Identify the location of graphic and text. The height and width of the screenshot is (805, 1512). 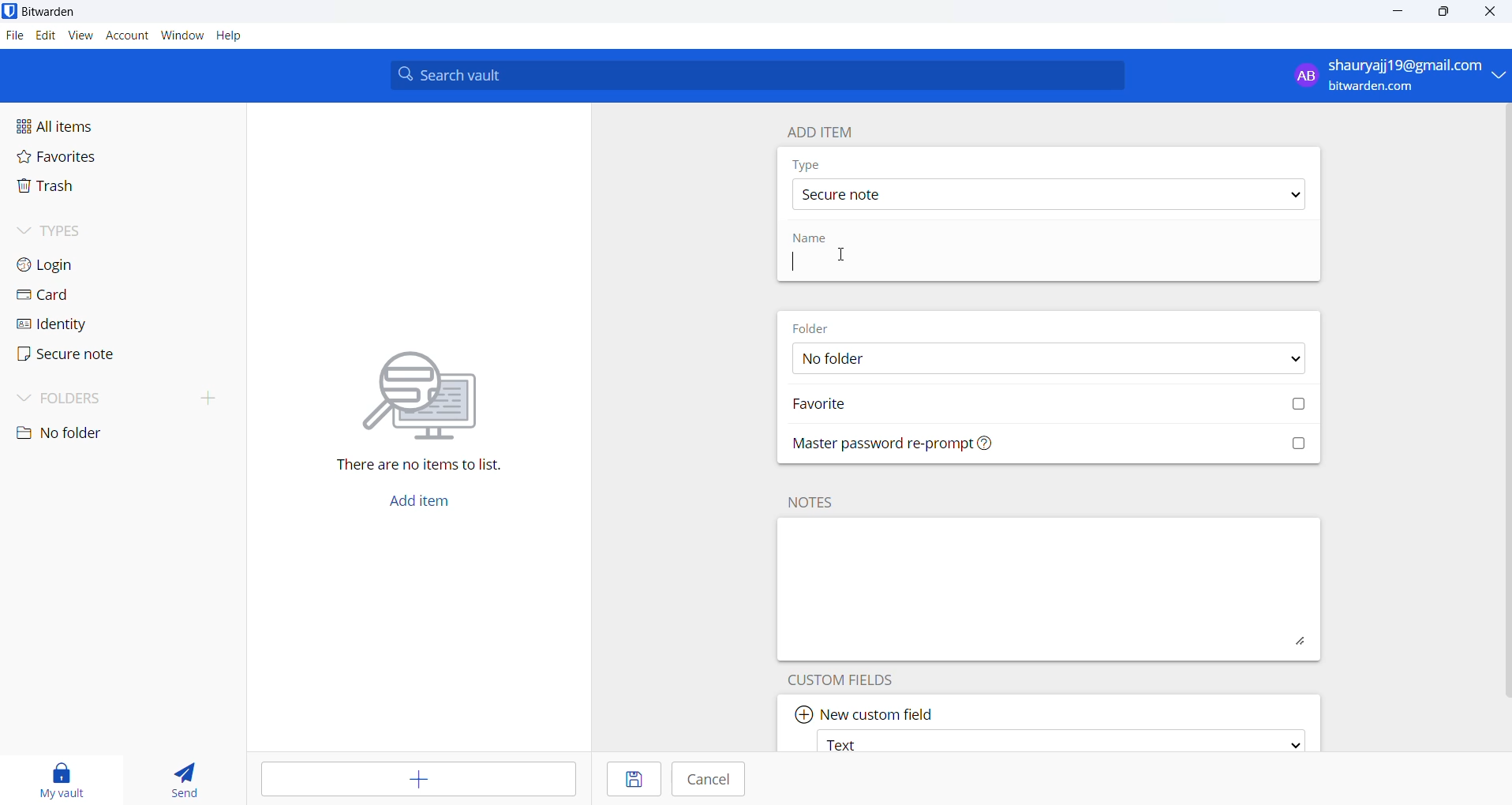
(422, 401).